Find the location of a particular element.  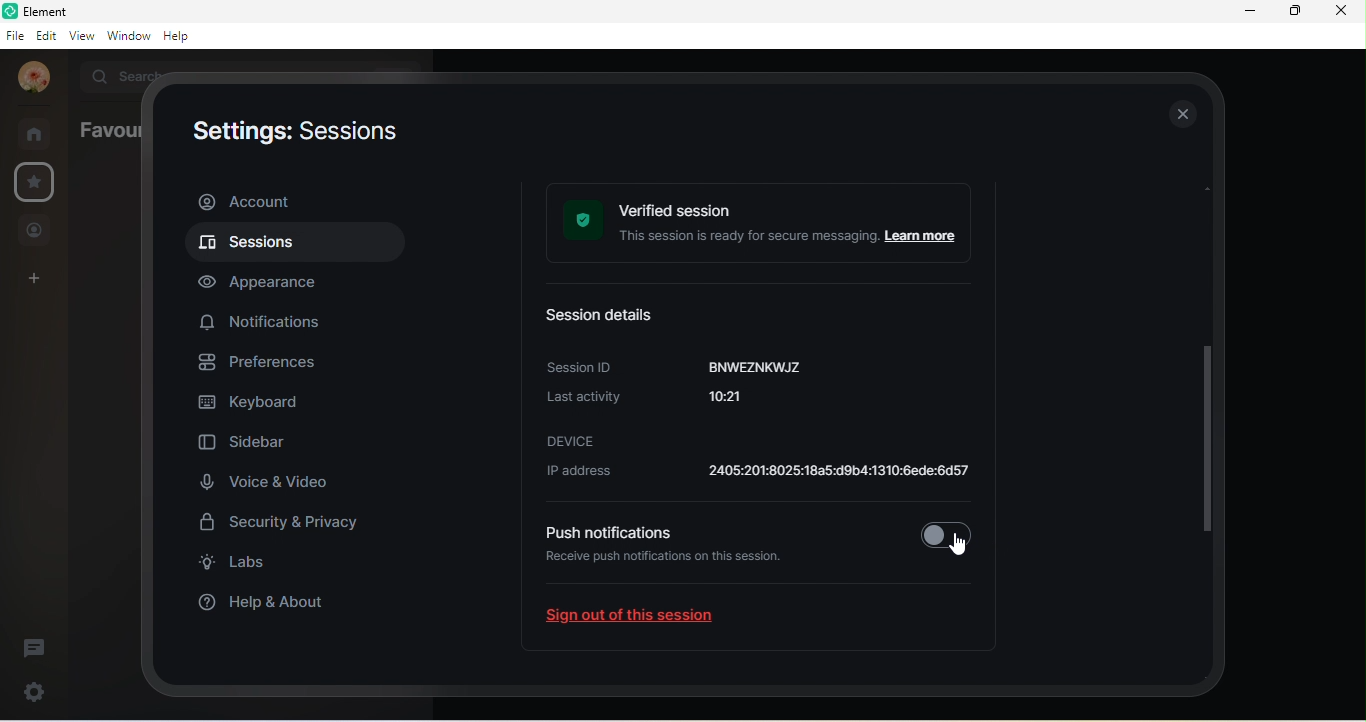

settings is located at coordinates (37, 181).